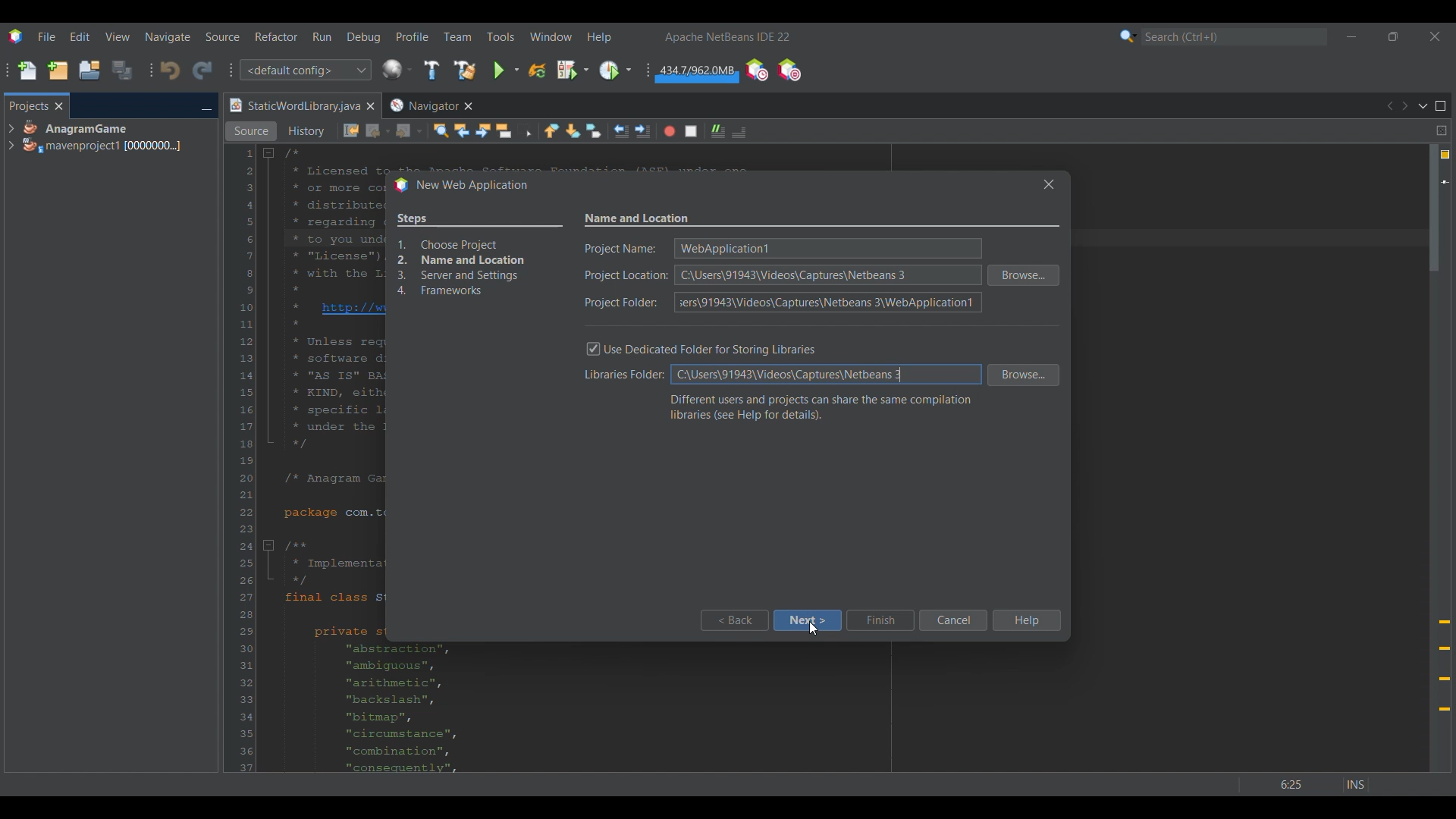 The height and width of the screenshot is (819, 1456). Describe the element at coordinates (462, 130) in the screenshot. I see `Find previous occurrences` at that location.